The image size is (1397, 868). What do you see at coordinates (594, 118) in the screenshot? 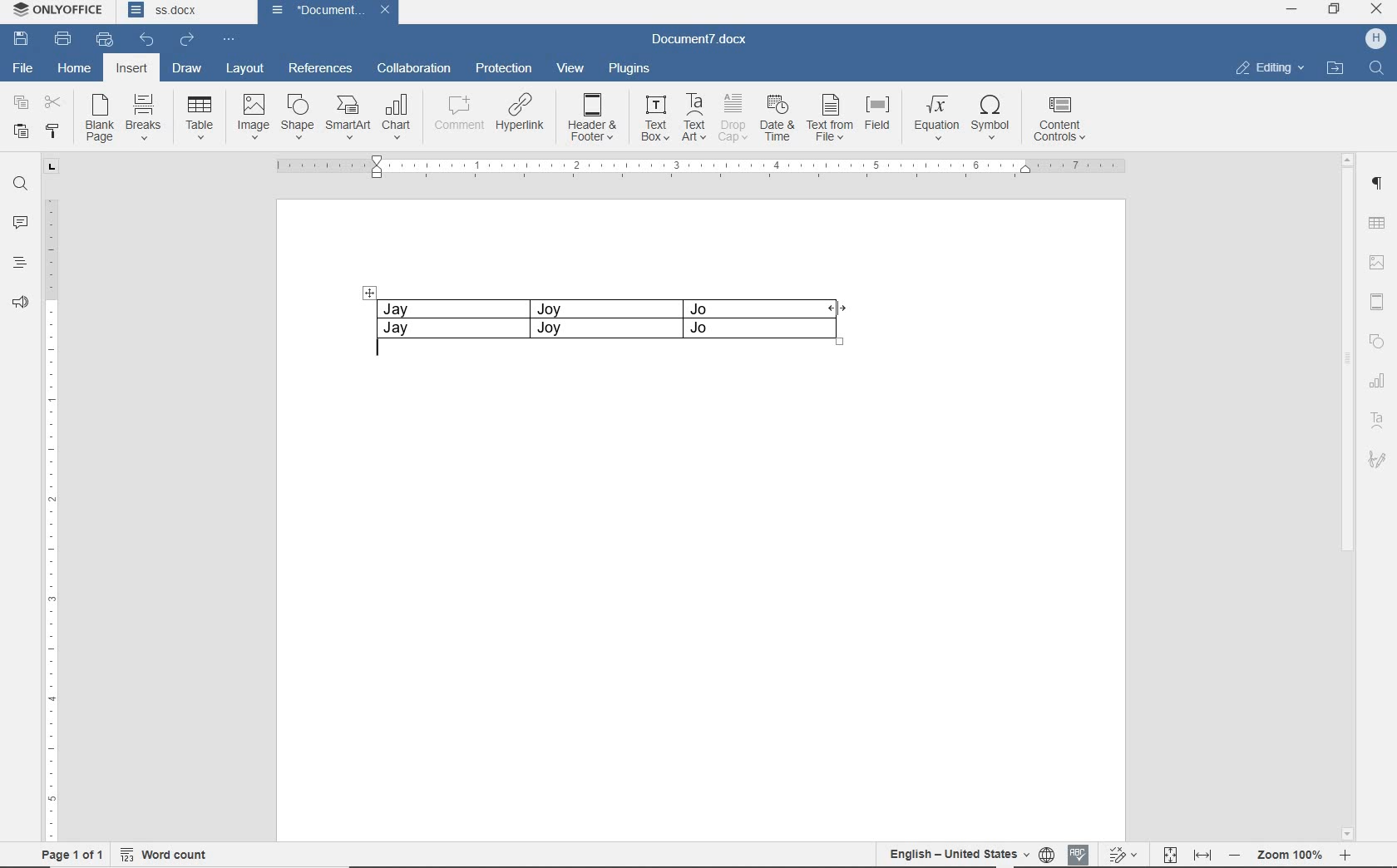
I see `HEADER & FOOTER` at bounding box center [594, 118].